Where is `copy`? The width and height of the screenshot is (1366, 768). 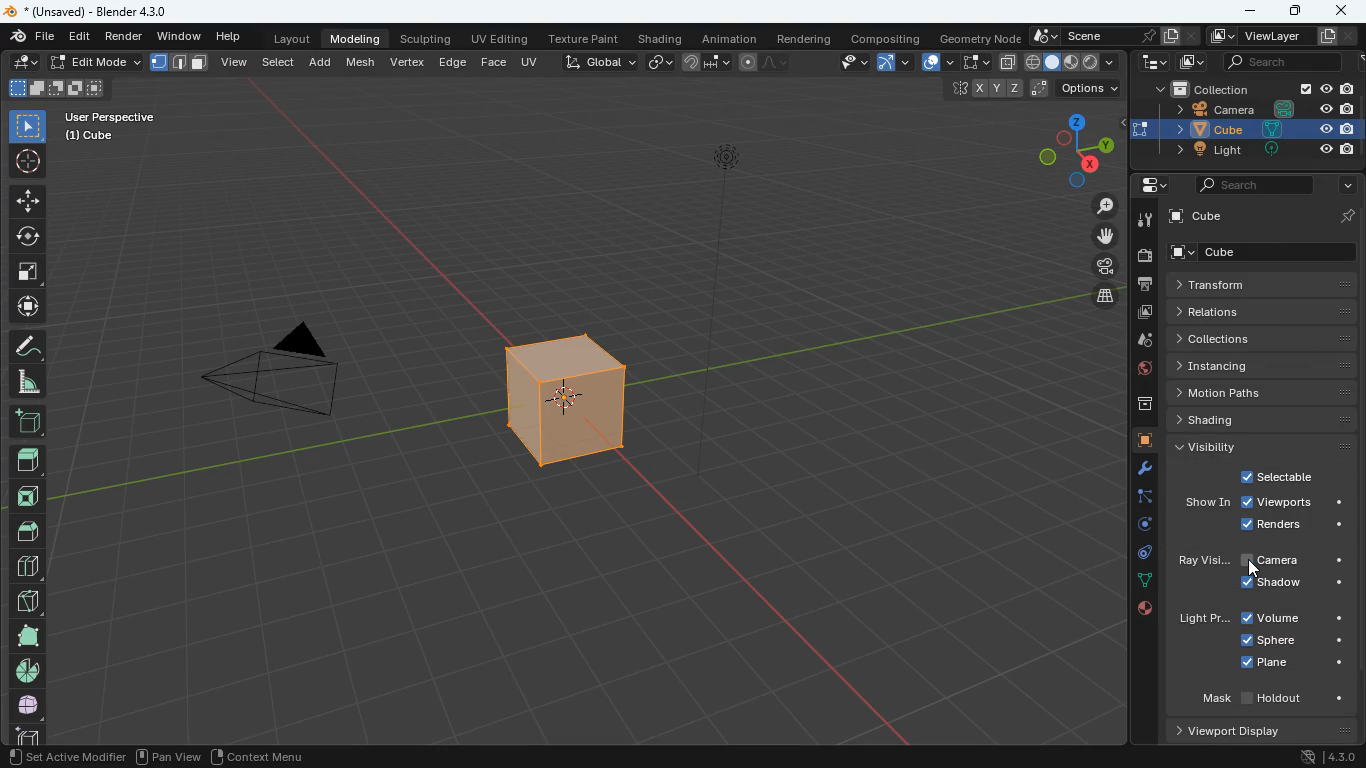
copy is located at coordinates (1006, 63).